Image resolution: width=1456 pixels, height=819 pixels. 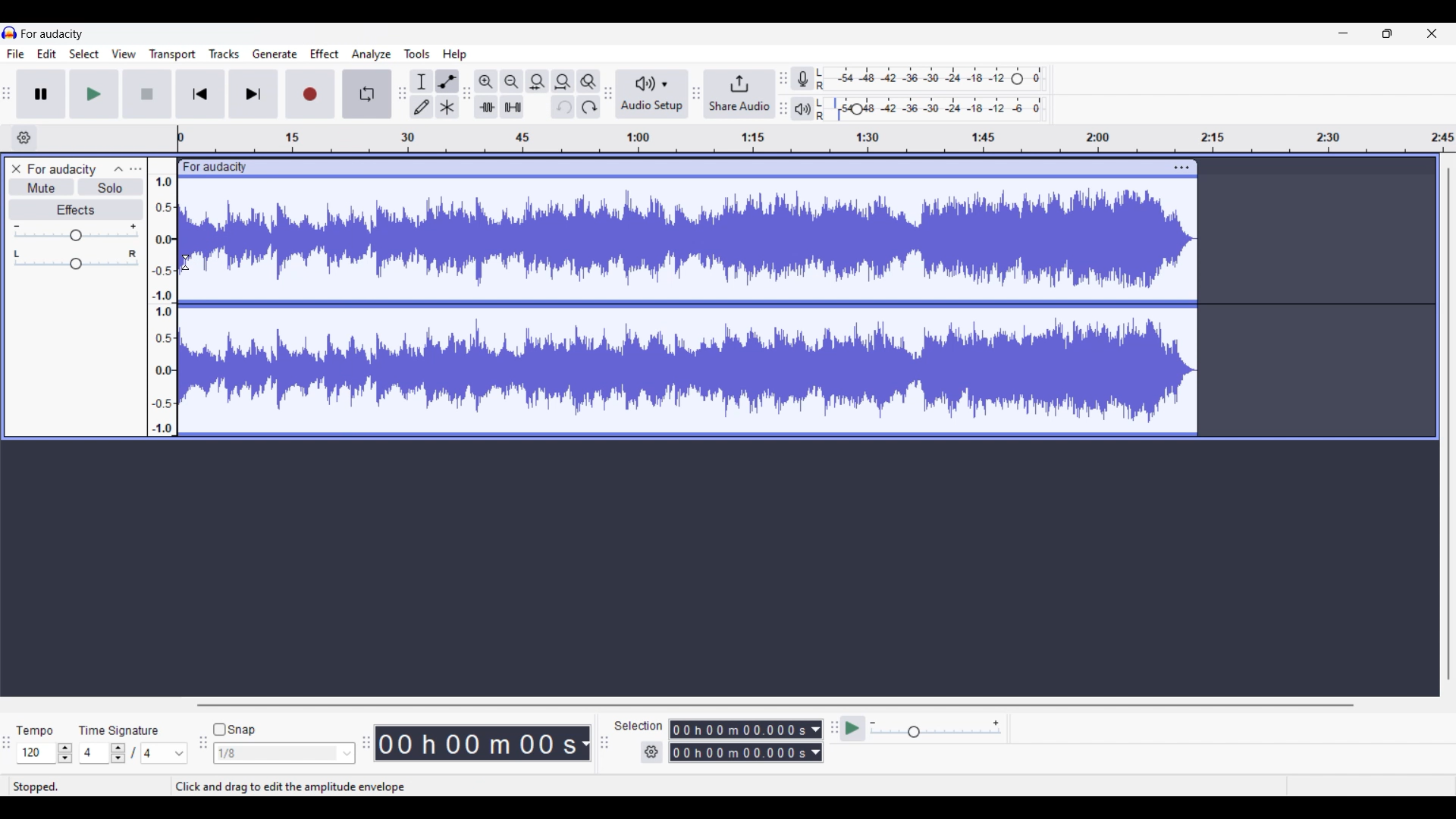 I want to click on Selection duration, so click(x=739, y=740).